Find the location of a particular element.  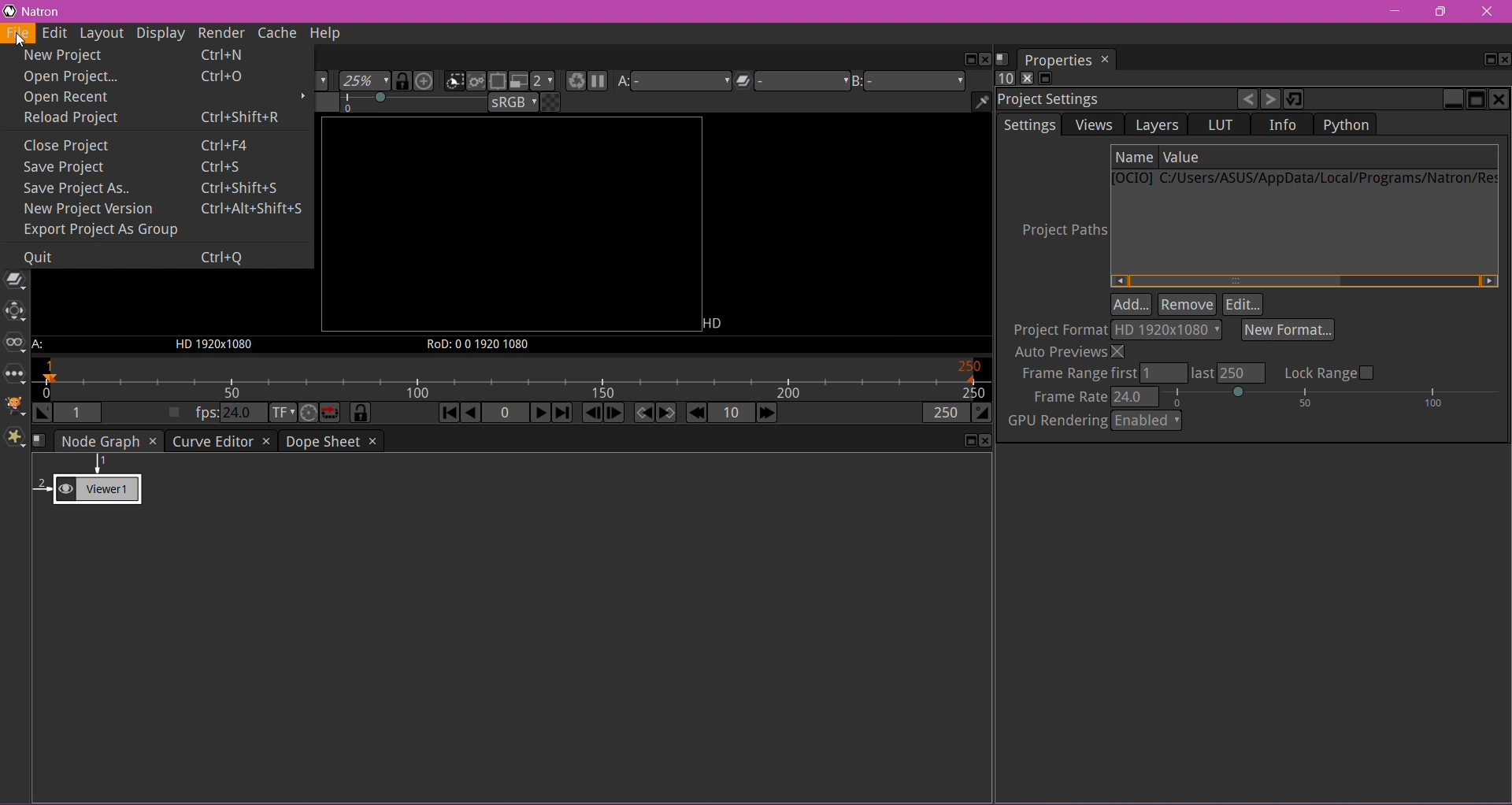

Set the playback in point at the current frame is located at coordinates (43, 413).